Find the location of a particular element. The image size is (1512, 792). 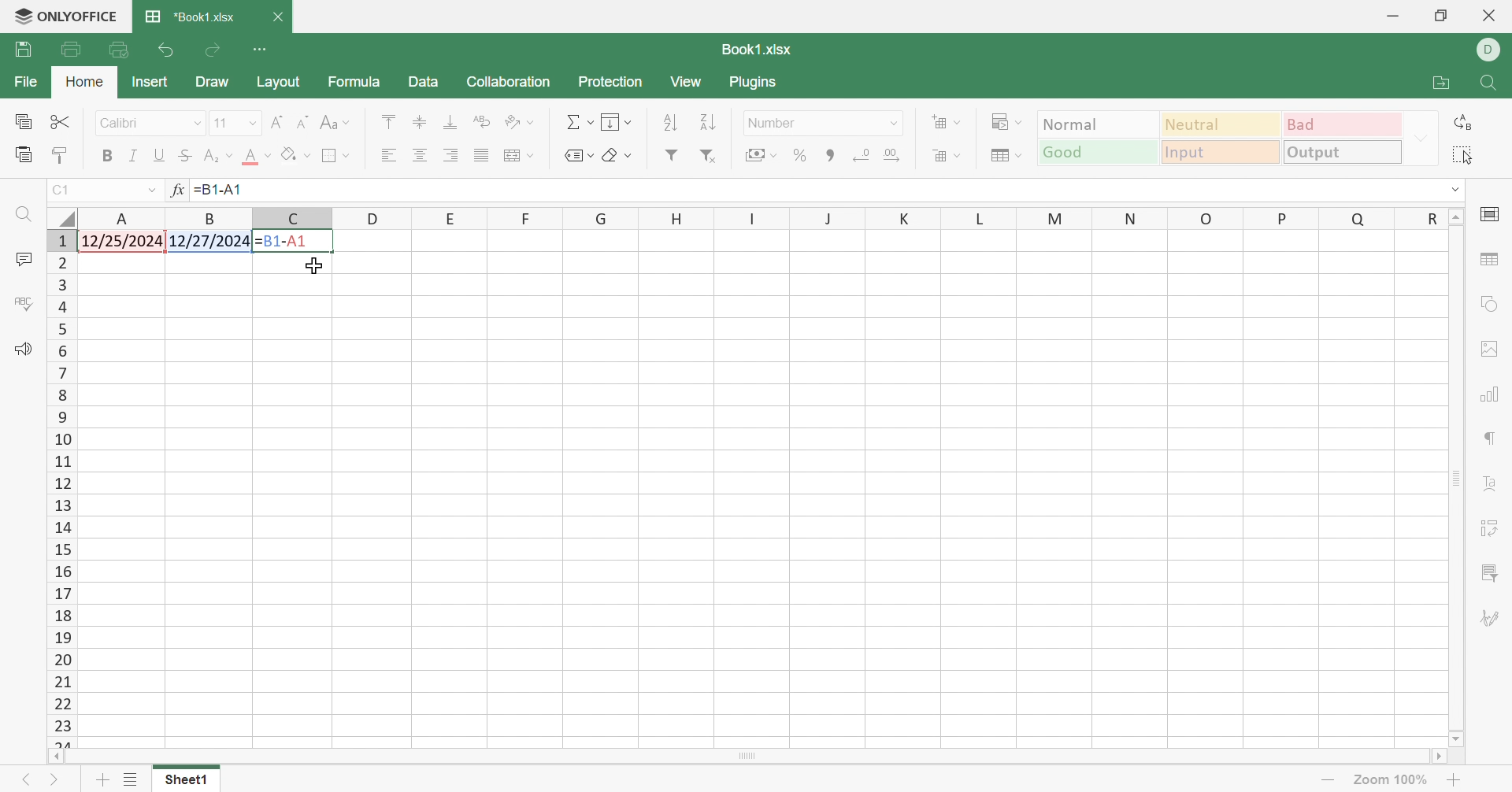

Ascending order is located at coordinates (669, 122).